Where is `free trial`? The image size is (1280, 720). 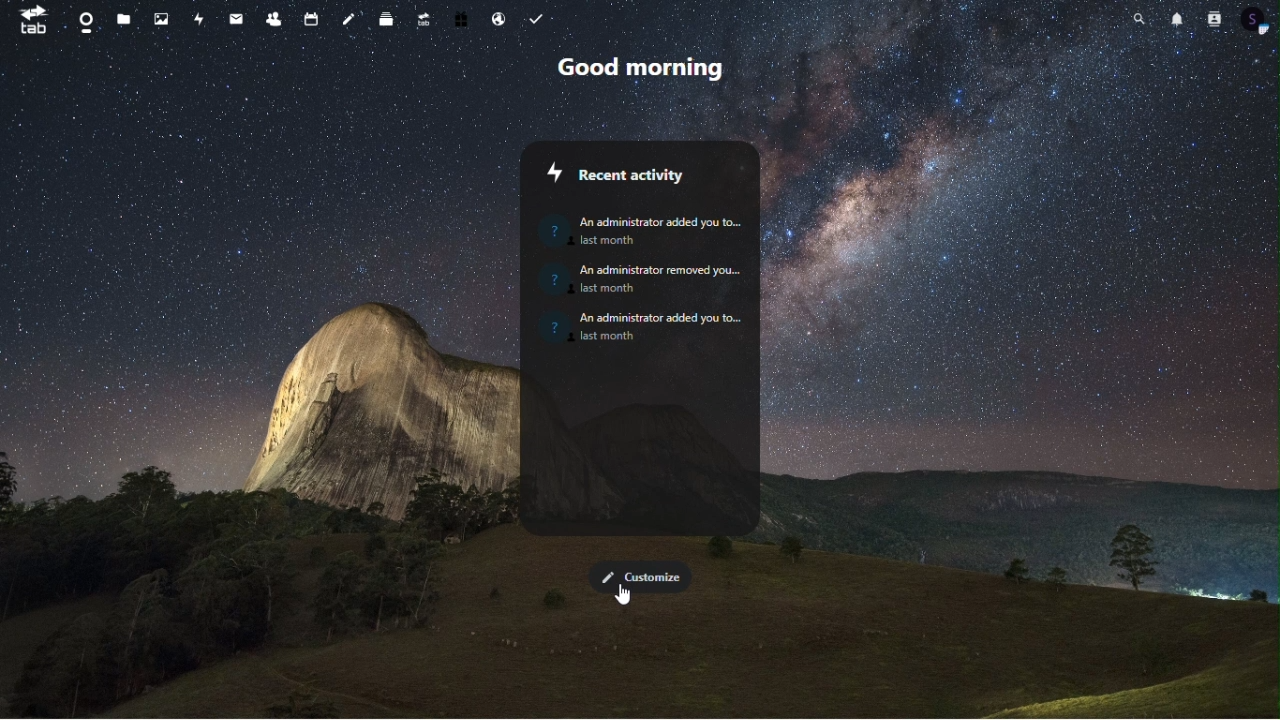 free trial is located at coordinates (463, 17).